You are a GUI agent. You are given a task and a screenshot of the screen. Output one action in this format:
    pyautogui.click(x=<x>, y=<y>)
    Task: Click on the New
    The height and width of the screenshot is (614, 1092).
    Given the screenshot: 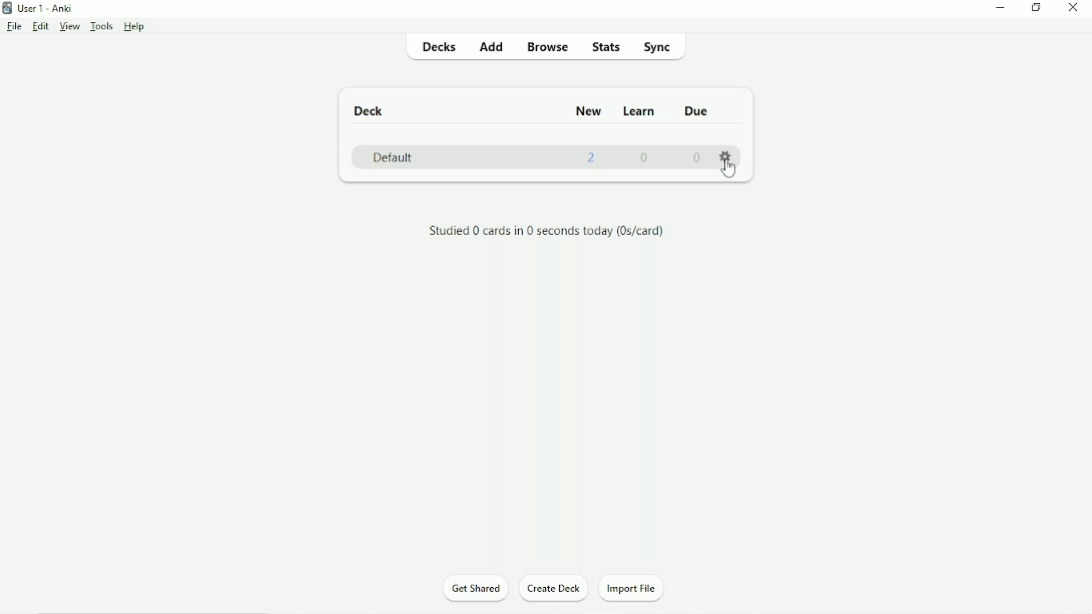 What is the action you would take?
    pyautogui.click(x=588, y=109)
    